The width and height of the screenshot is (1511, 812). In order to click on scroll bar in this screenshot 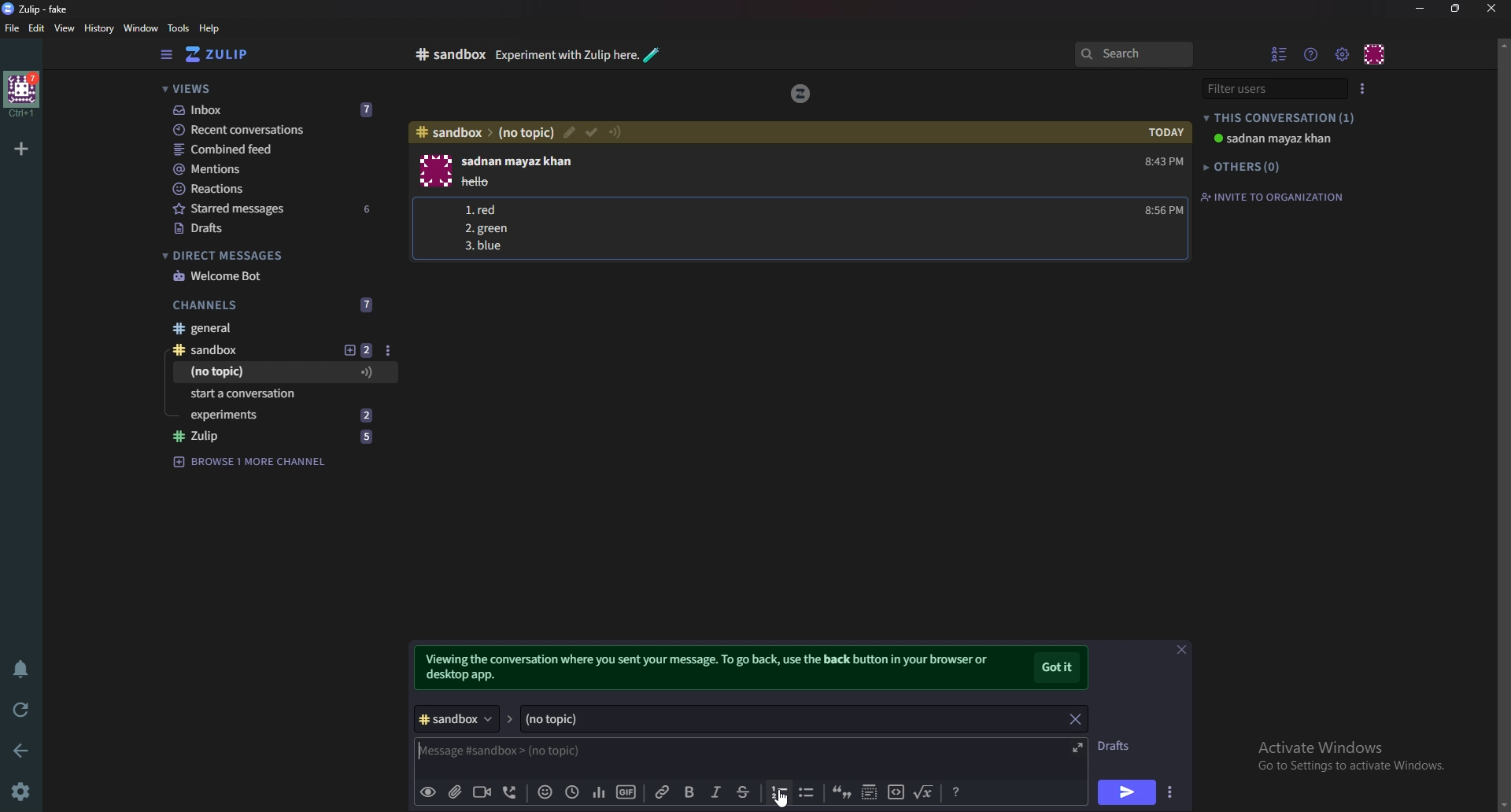, I will do `click(1503, 421)`.